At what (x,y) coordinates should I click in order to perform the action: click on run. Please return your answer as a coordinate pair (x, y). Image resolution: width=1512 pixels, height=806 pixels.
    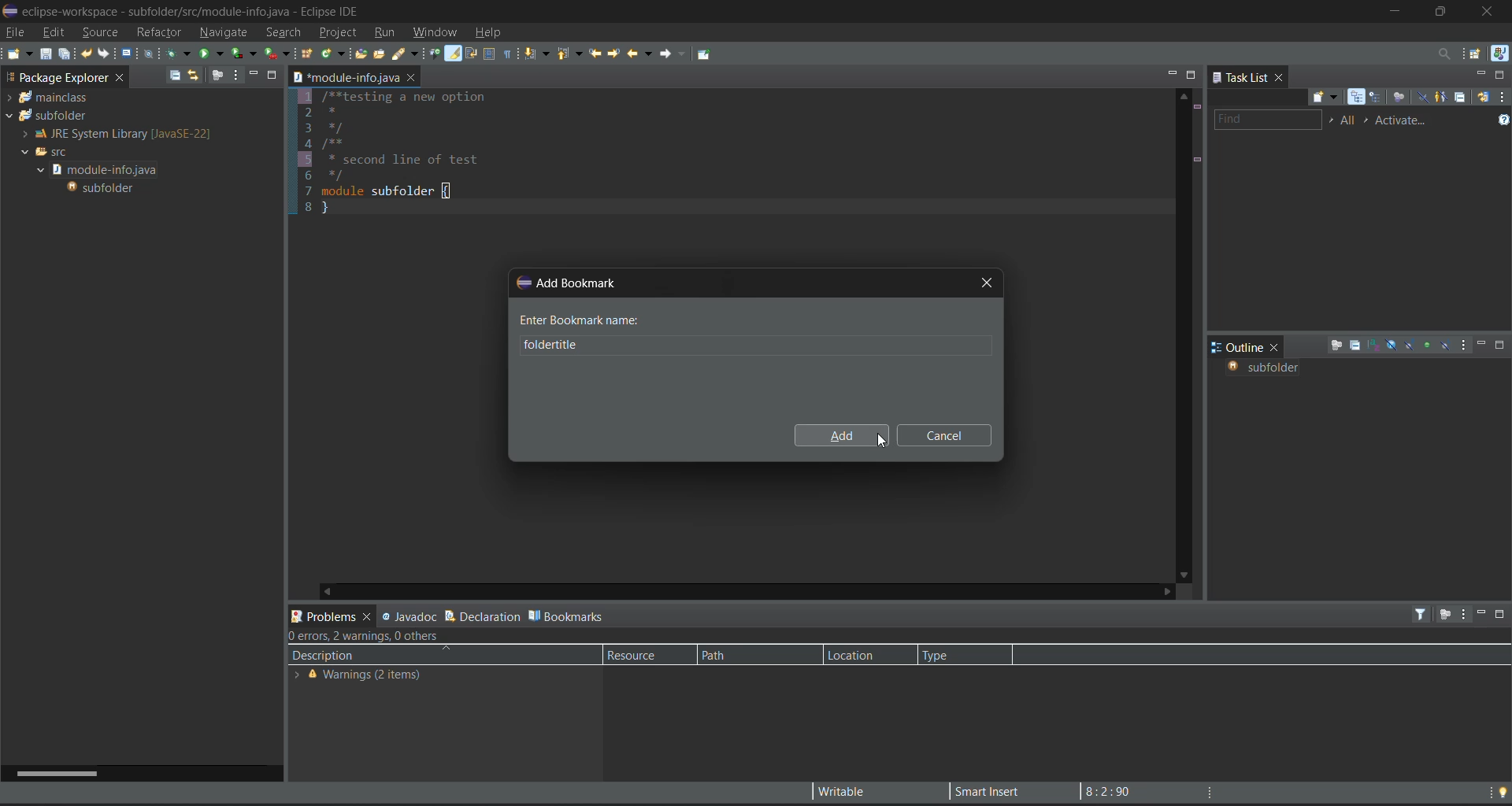
    Looking at the image, I should click on (388, 33).